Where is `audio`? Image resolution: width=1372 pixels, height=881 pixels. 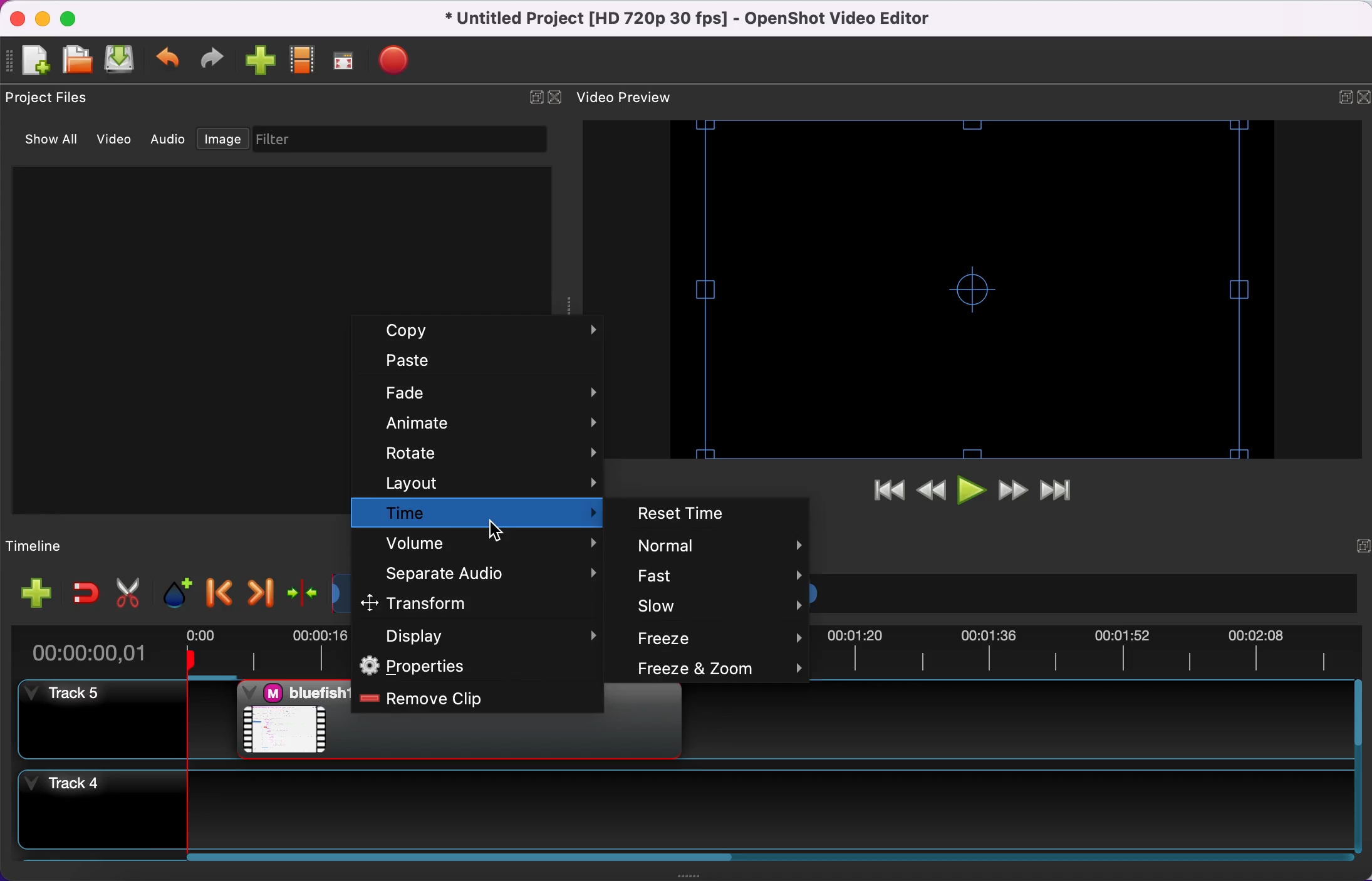
audio is located at coordinates (169, 142).